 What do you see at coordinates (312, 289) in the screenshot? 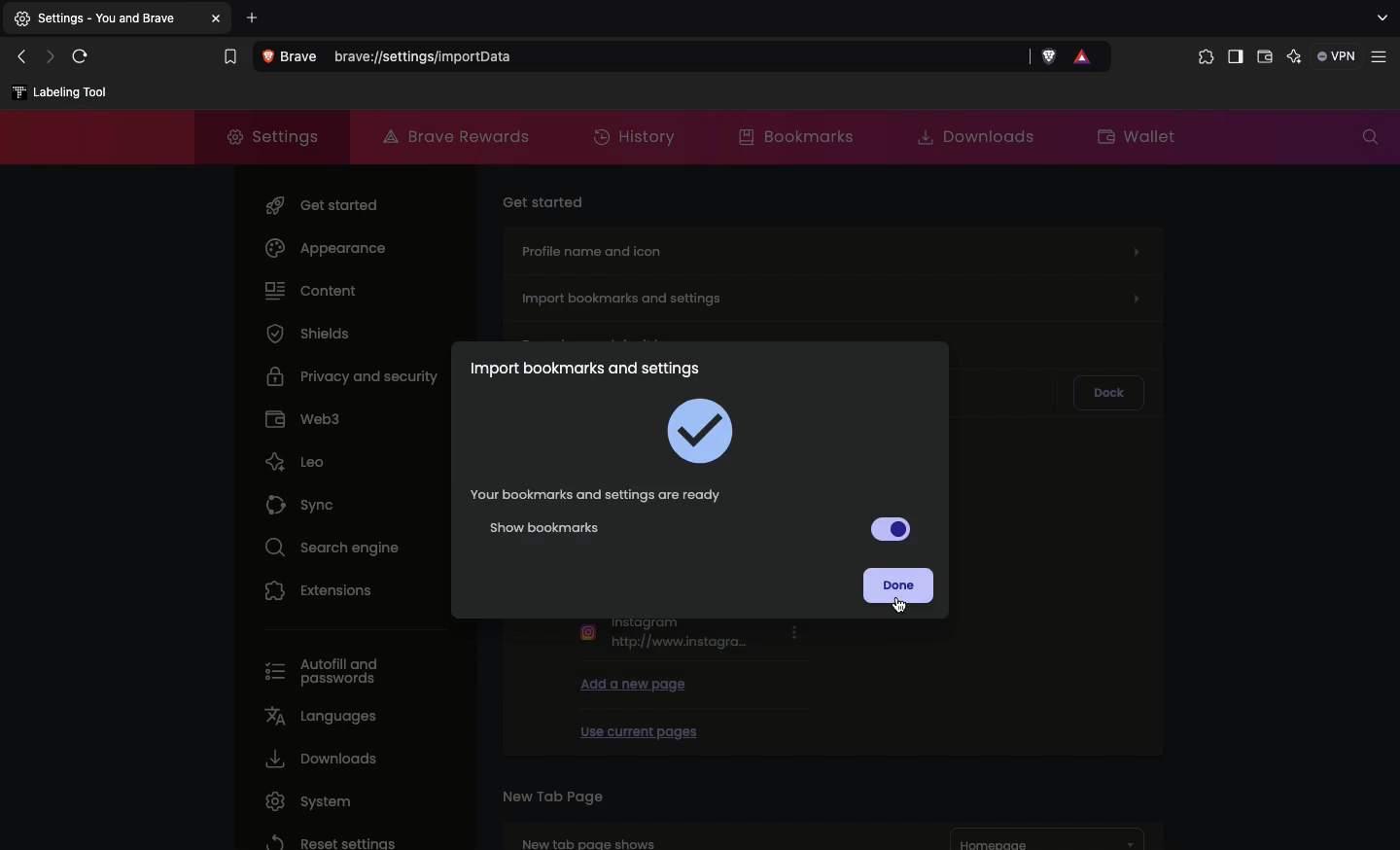
I see `Content` at bounding box center [312, 289].